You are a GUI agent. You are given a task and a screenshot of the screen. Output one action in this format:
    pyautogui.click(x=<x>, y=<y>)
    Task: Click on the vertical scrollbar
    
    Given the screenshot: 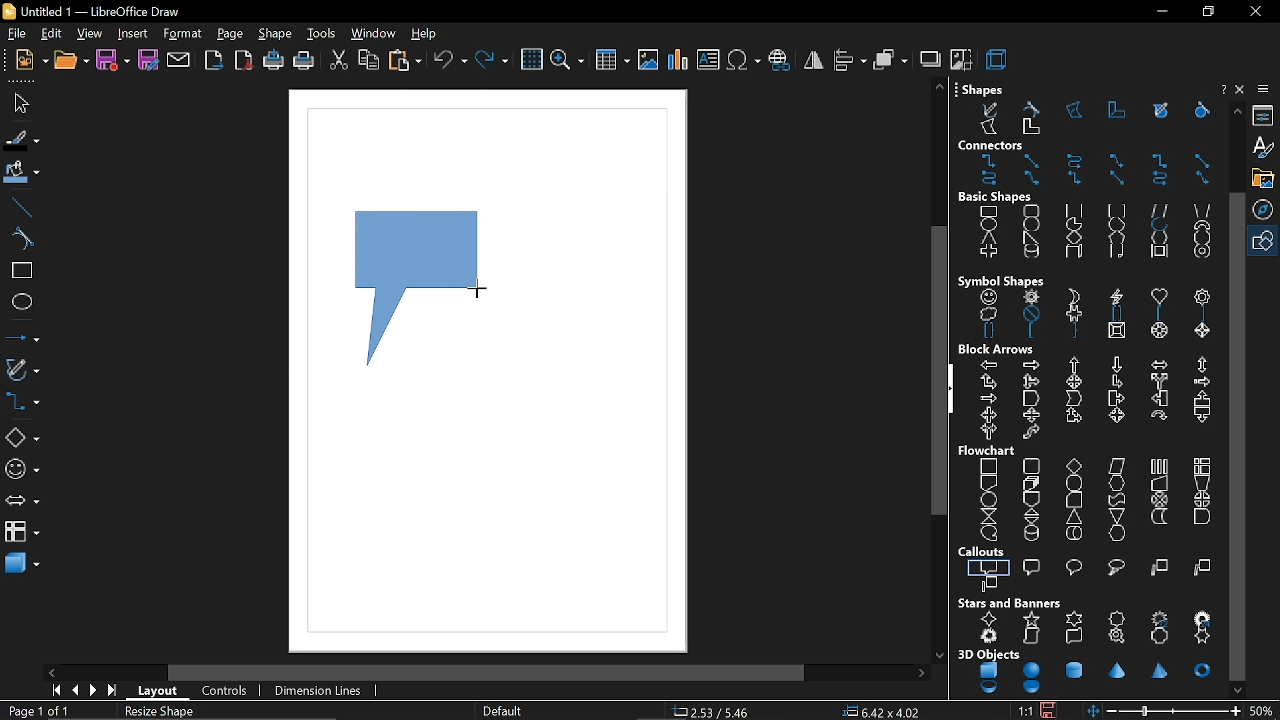 What is the action you would take?
    pyautogui.click(x=1236, y=437)
    